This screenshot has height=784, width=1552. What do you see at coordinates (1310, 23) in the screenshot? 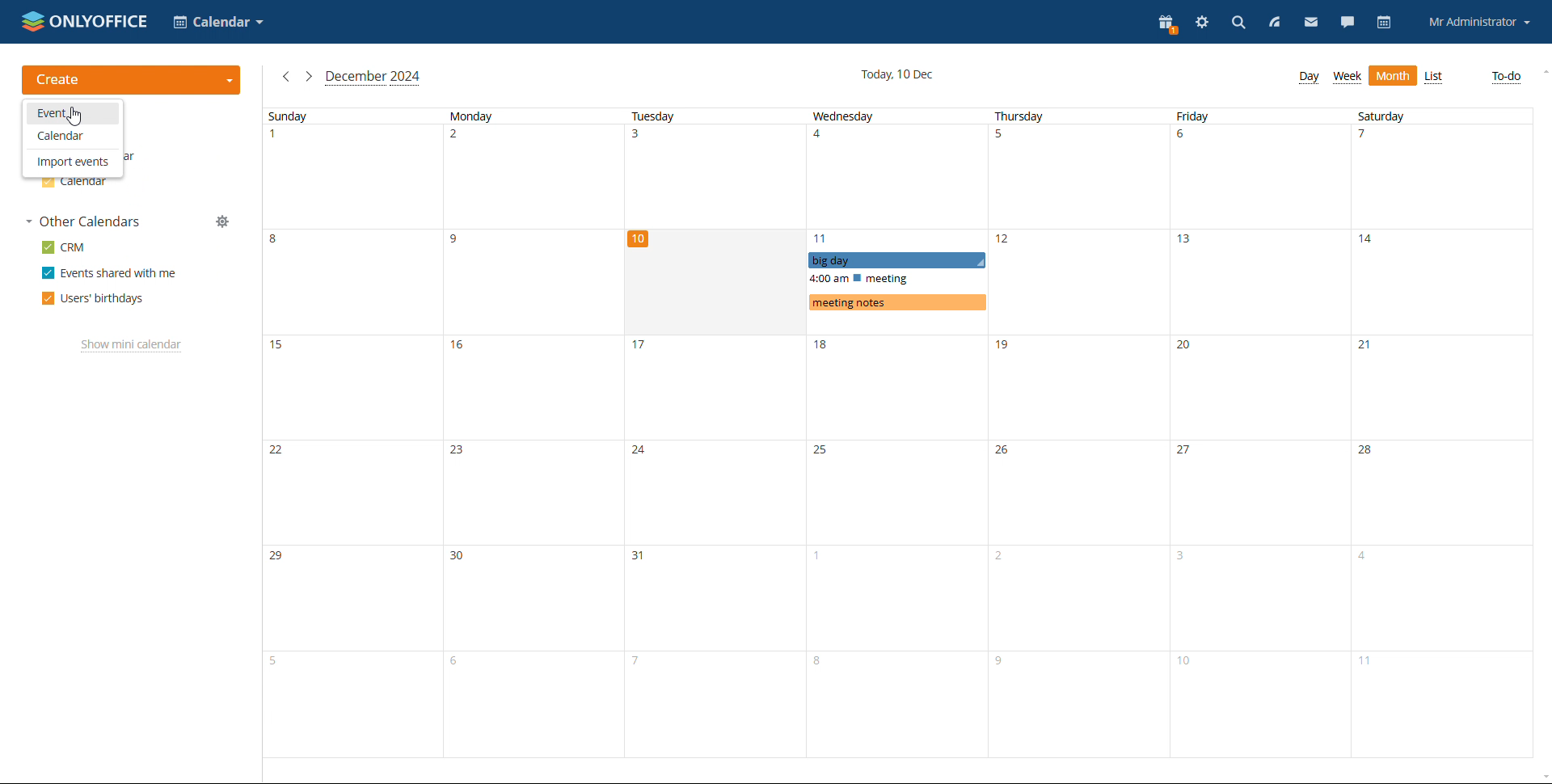
I see `mail` at bounding box center [1310, 23].